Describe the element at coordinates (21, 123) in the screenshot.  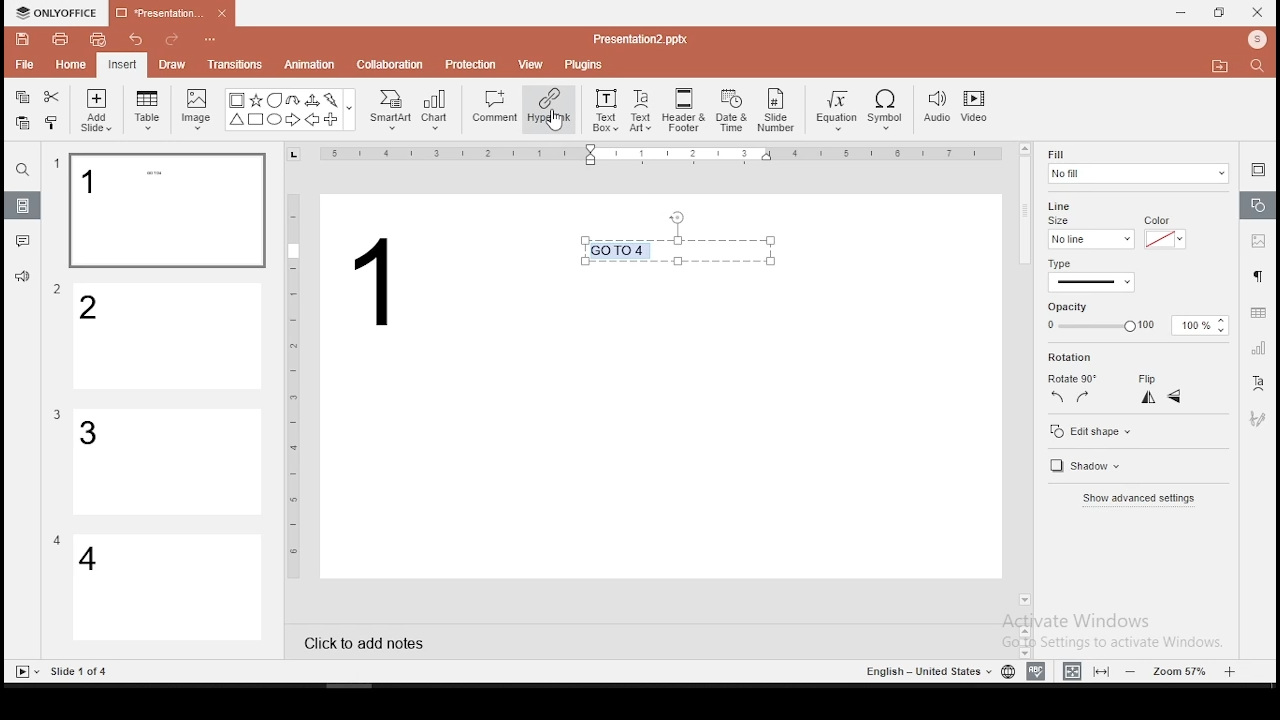
I see `paste` at that location.